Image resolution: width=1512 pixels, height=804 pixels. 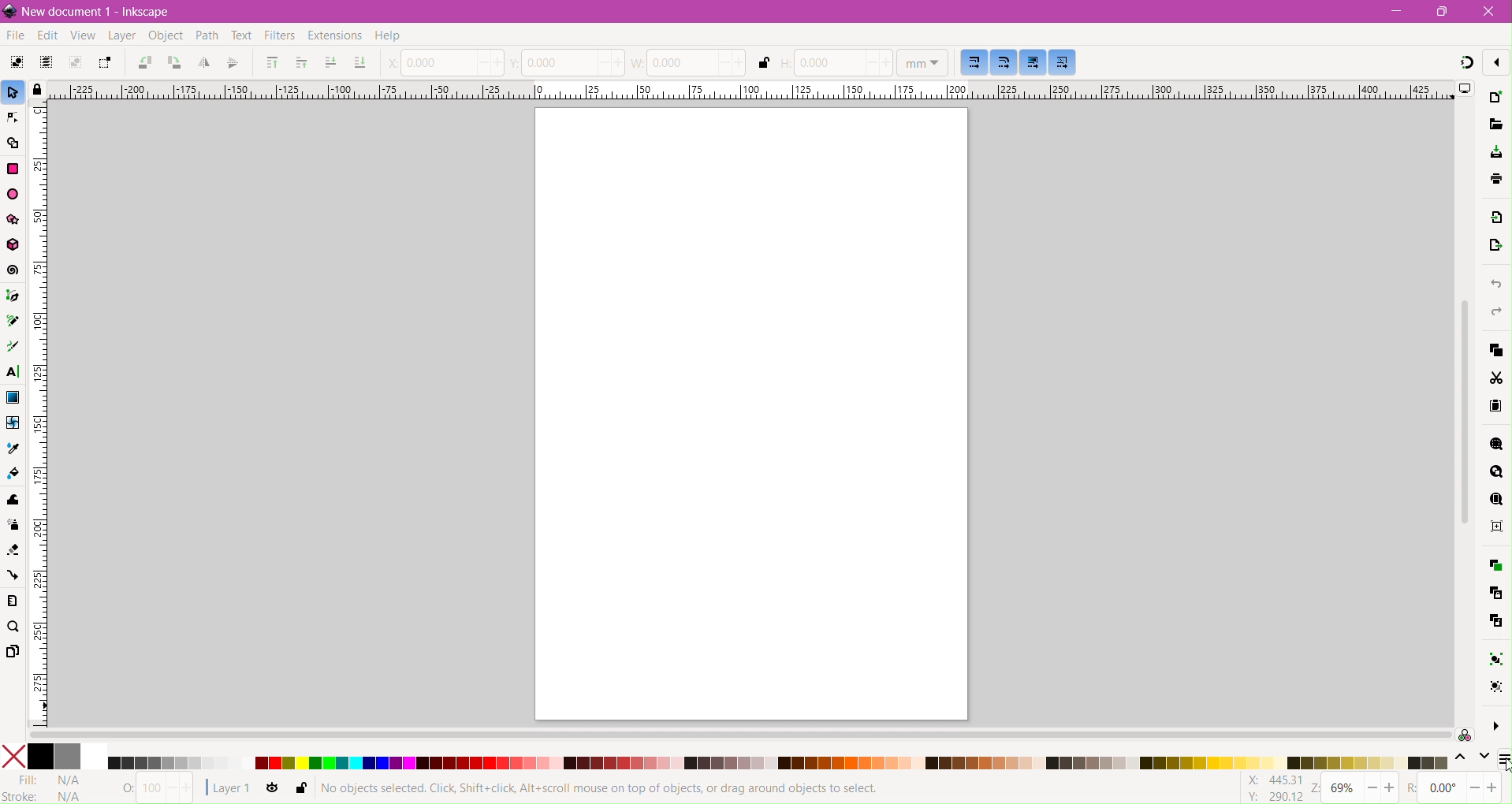 What do you see at coordinates (1466, 65) in the screenshot?
I see `Snapping` at bounding box center [1466, 65].